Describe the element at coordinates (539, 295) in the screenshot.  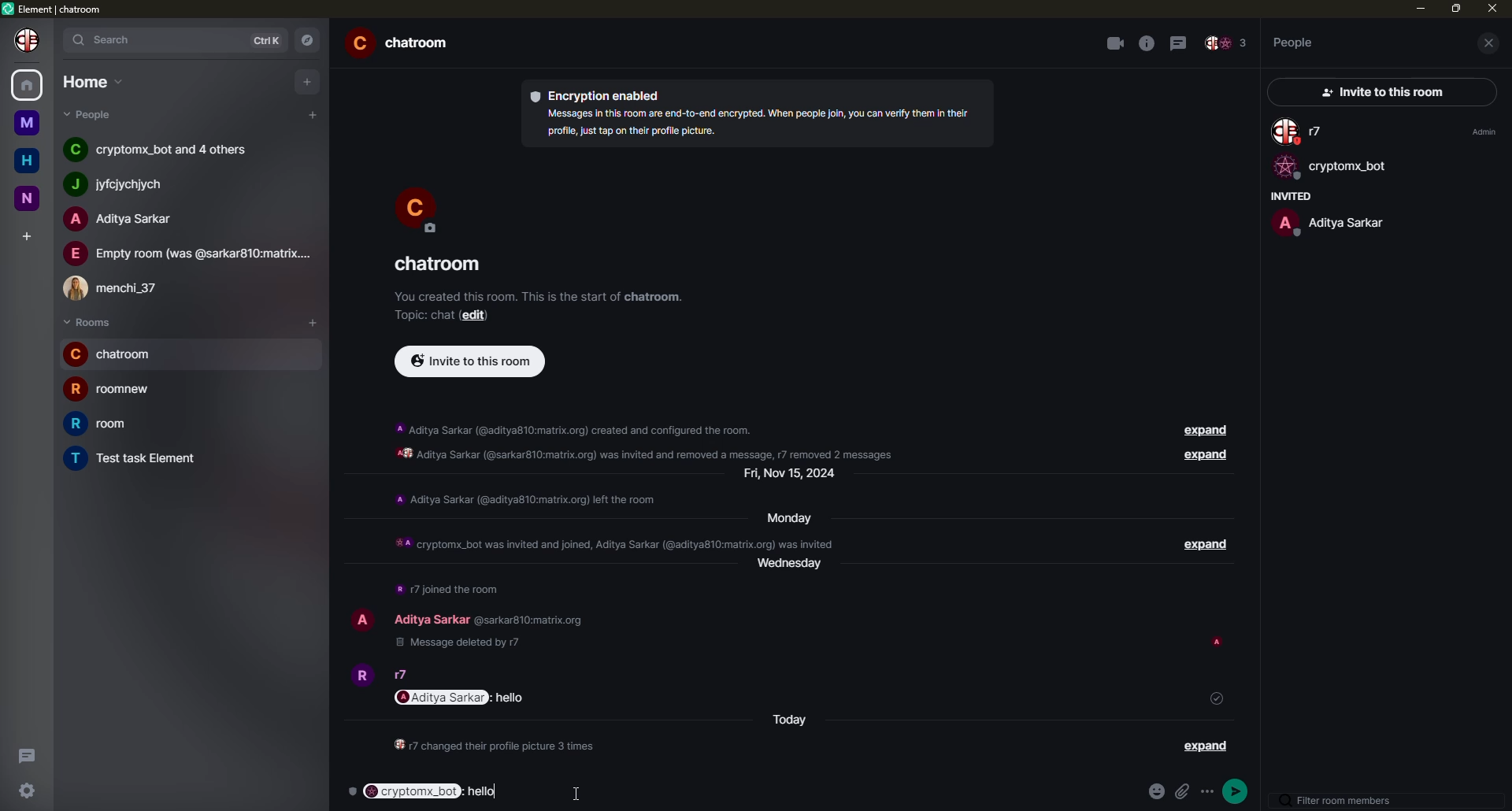
I see `info` at that location.